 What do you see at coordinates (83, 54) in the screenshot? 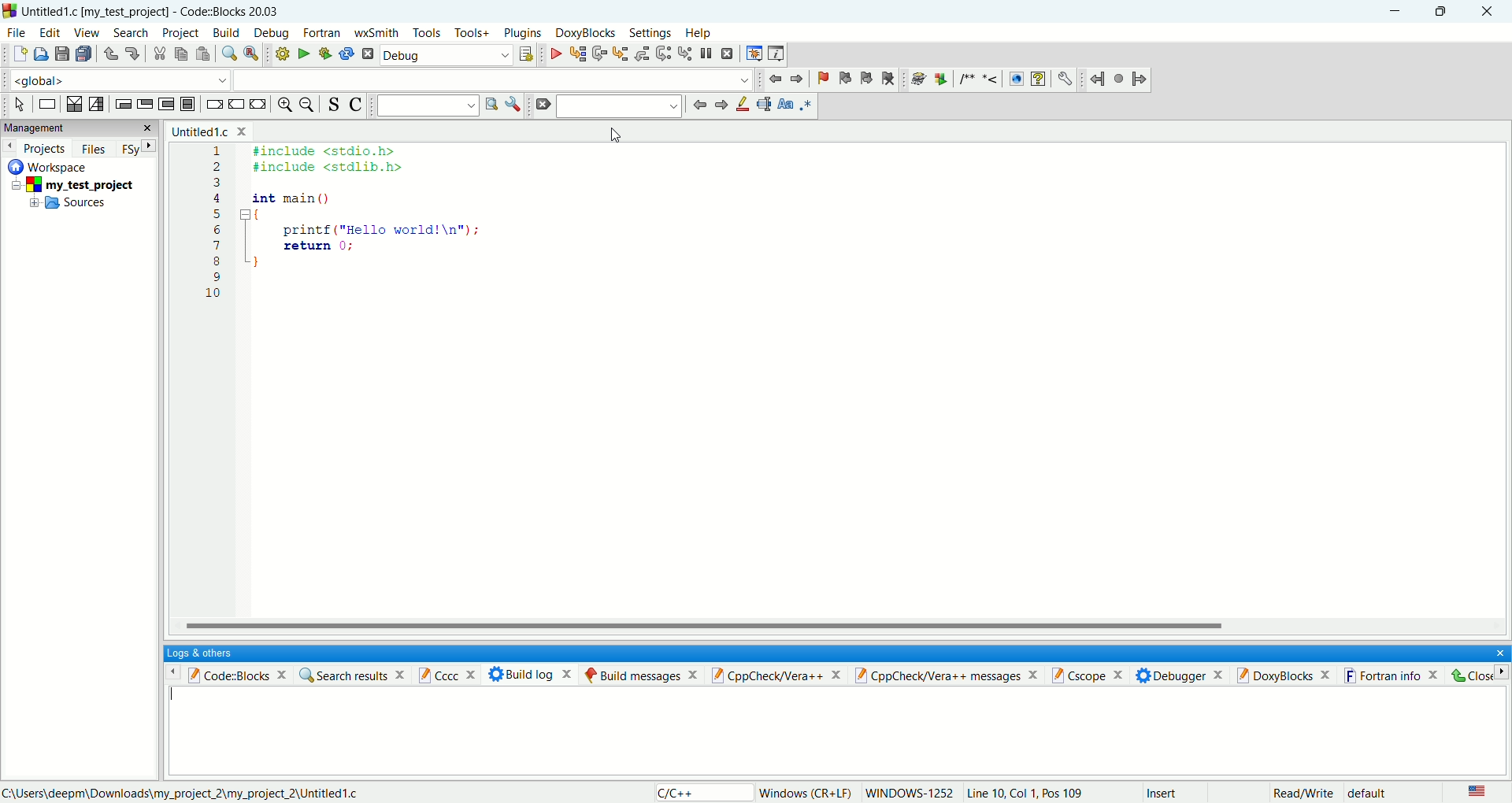
I see `save everything` at bounding box center [83, 54].